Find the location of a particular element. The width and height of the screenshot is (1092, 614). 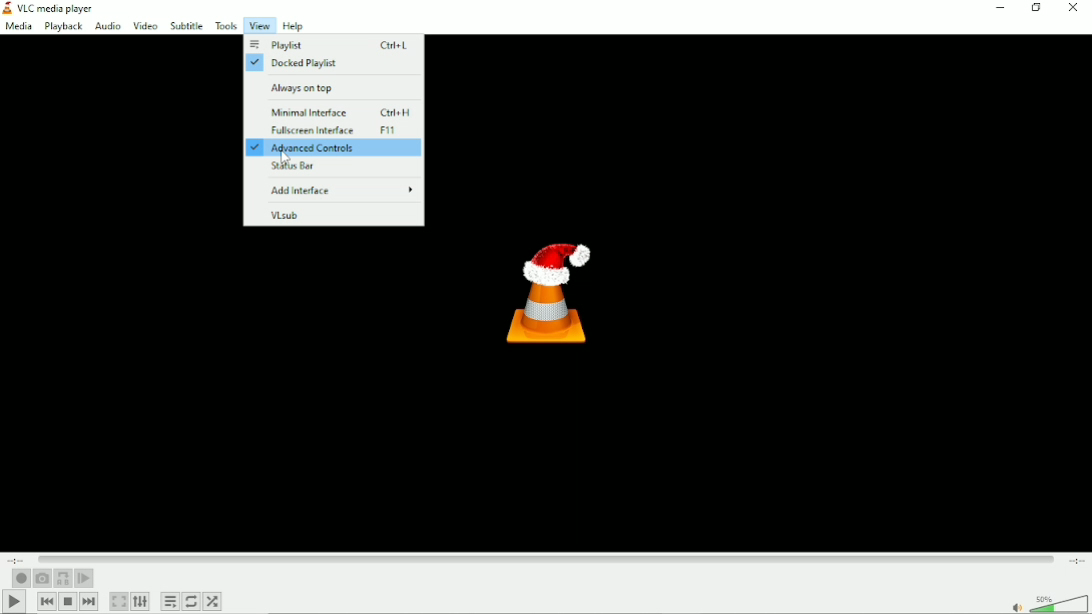

Toggle between loop all, loop one and no loop is located at coordinates (191, 601).